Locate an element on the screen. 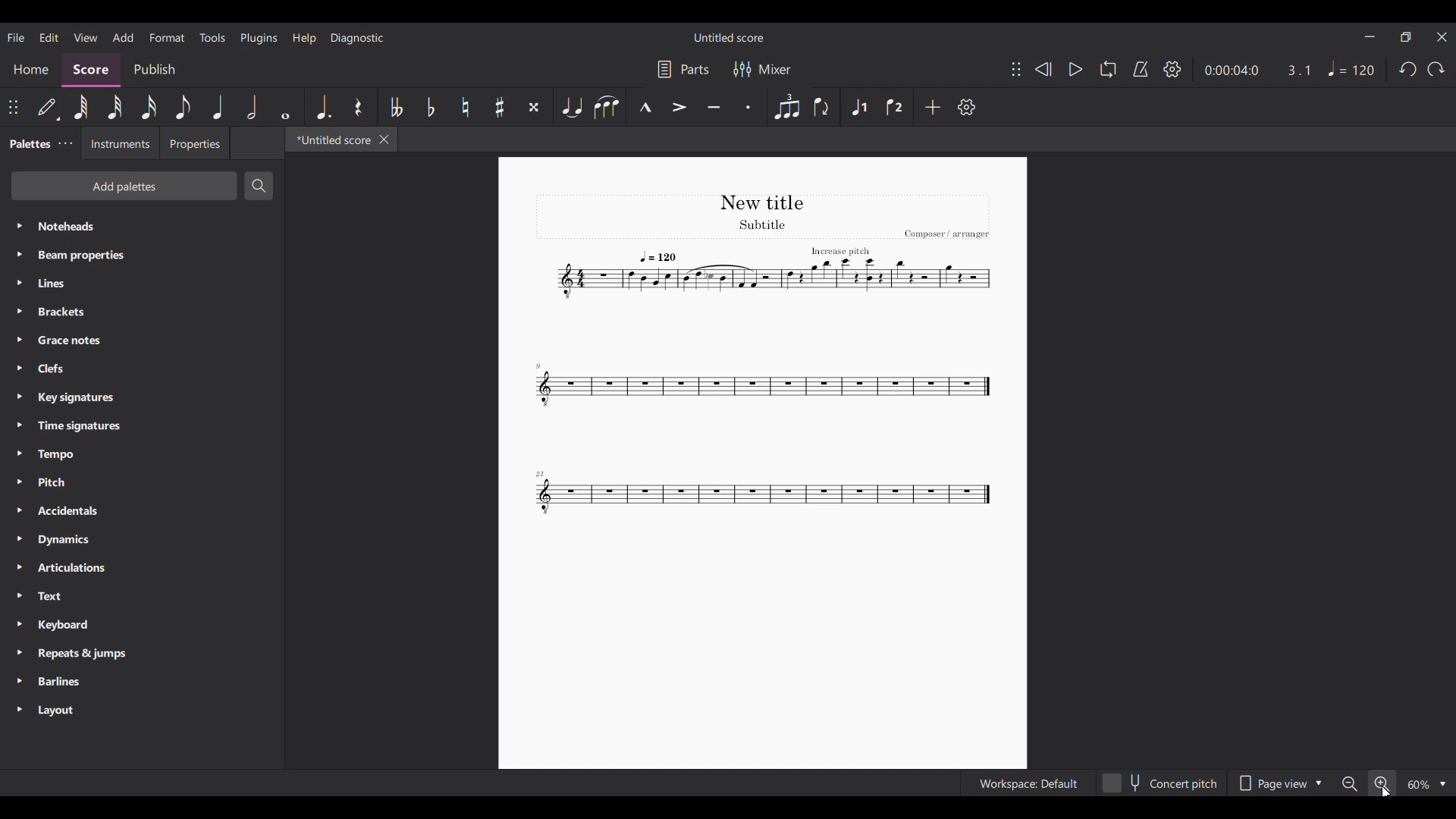  Minimize is located at coordinates (1370, 37).